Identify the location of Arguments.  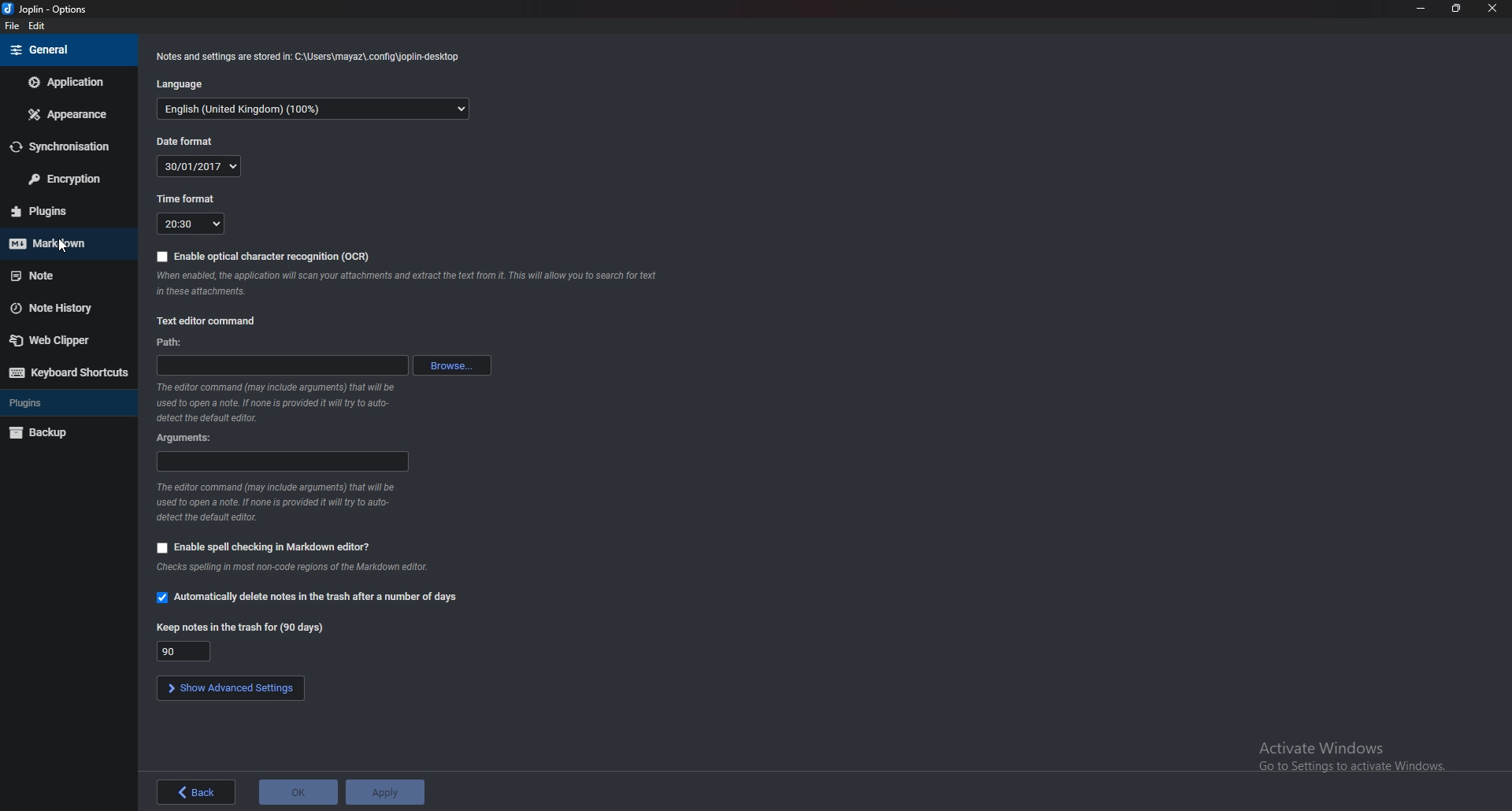
(284, 462).